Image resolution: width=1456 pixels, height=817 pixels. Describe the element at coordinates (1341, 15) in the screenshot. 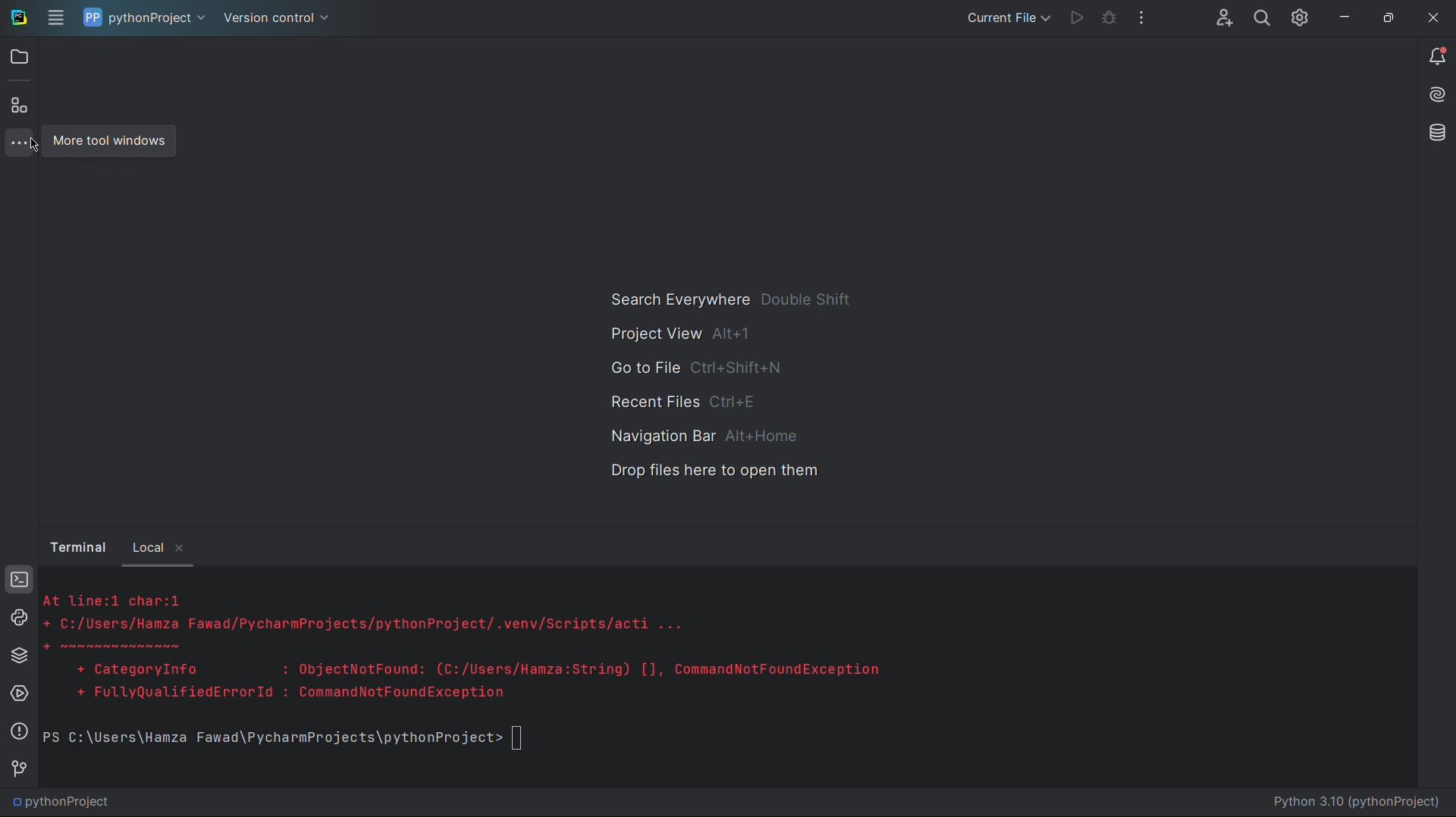

I see `Minimize` at that location.